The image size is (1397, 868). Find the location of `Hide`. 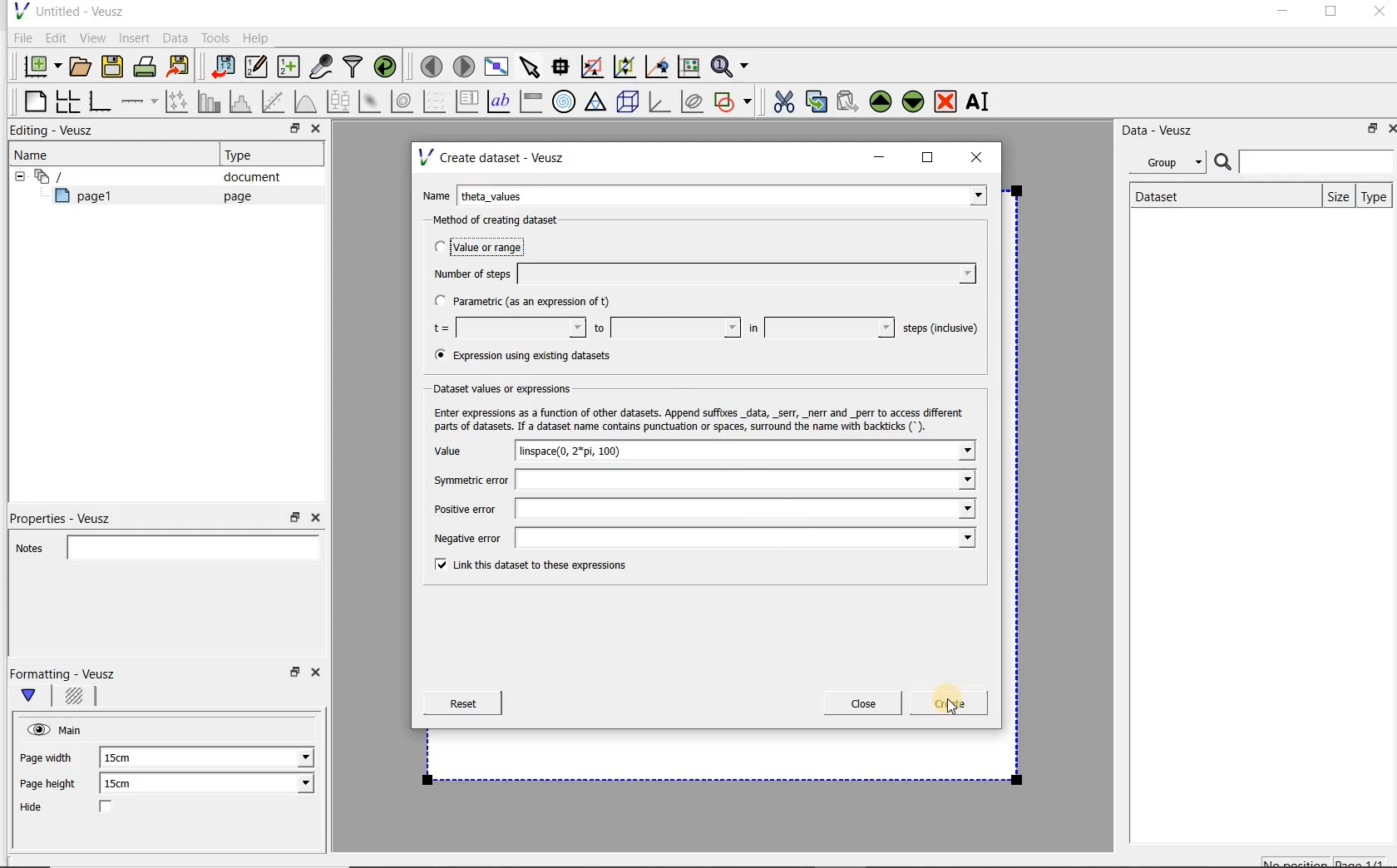

Hide is located at coordinates (82, 808).